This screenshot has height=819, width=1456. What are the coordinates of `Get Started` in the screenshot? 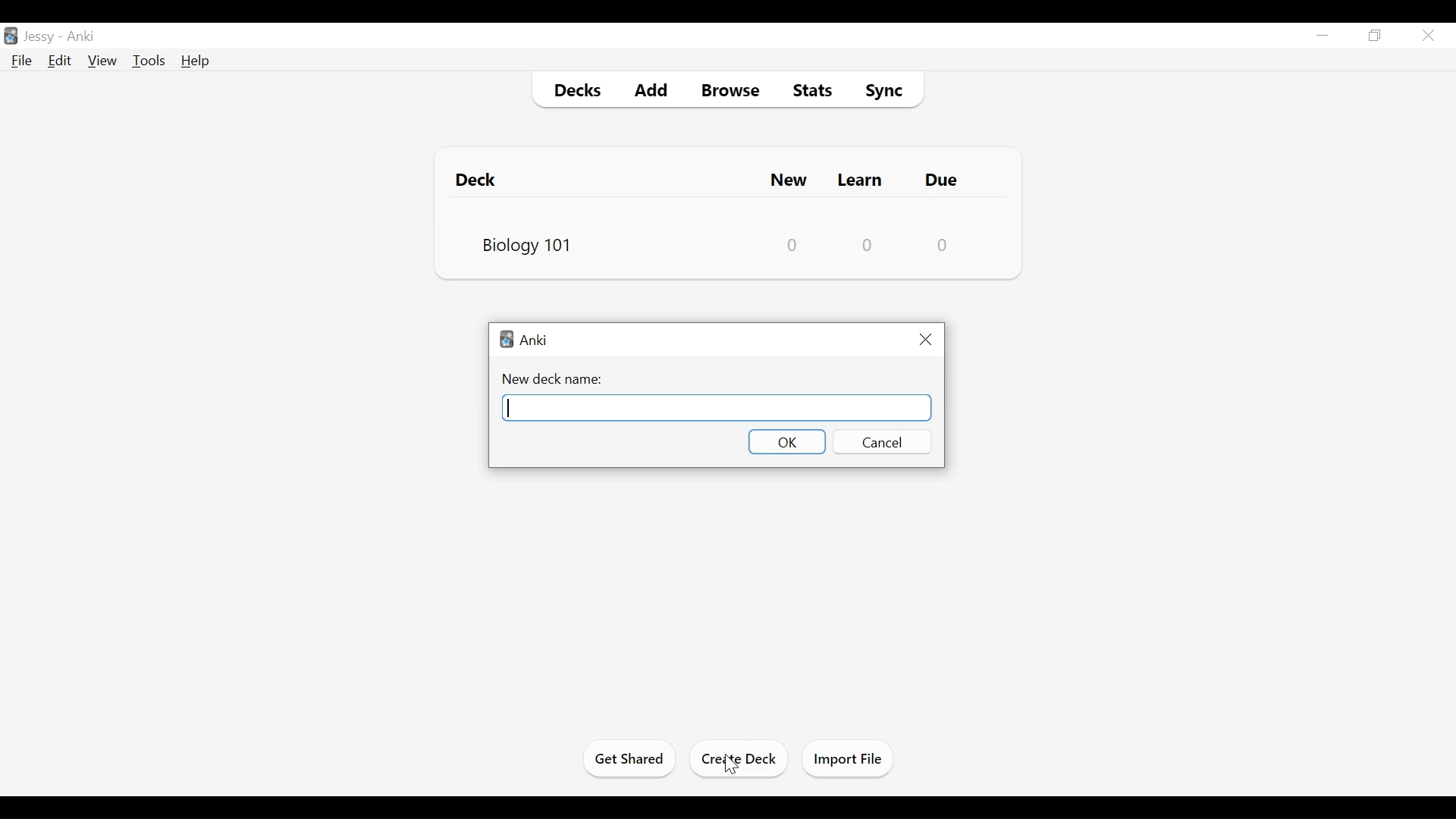 It's located at (632, 760).